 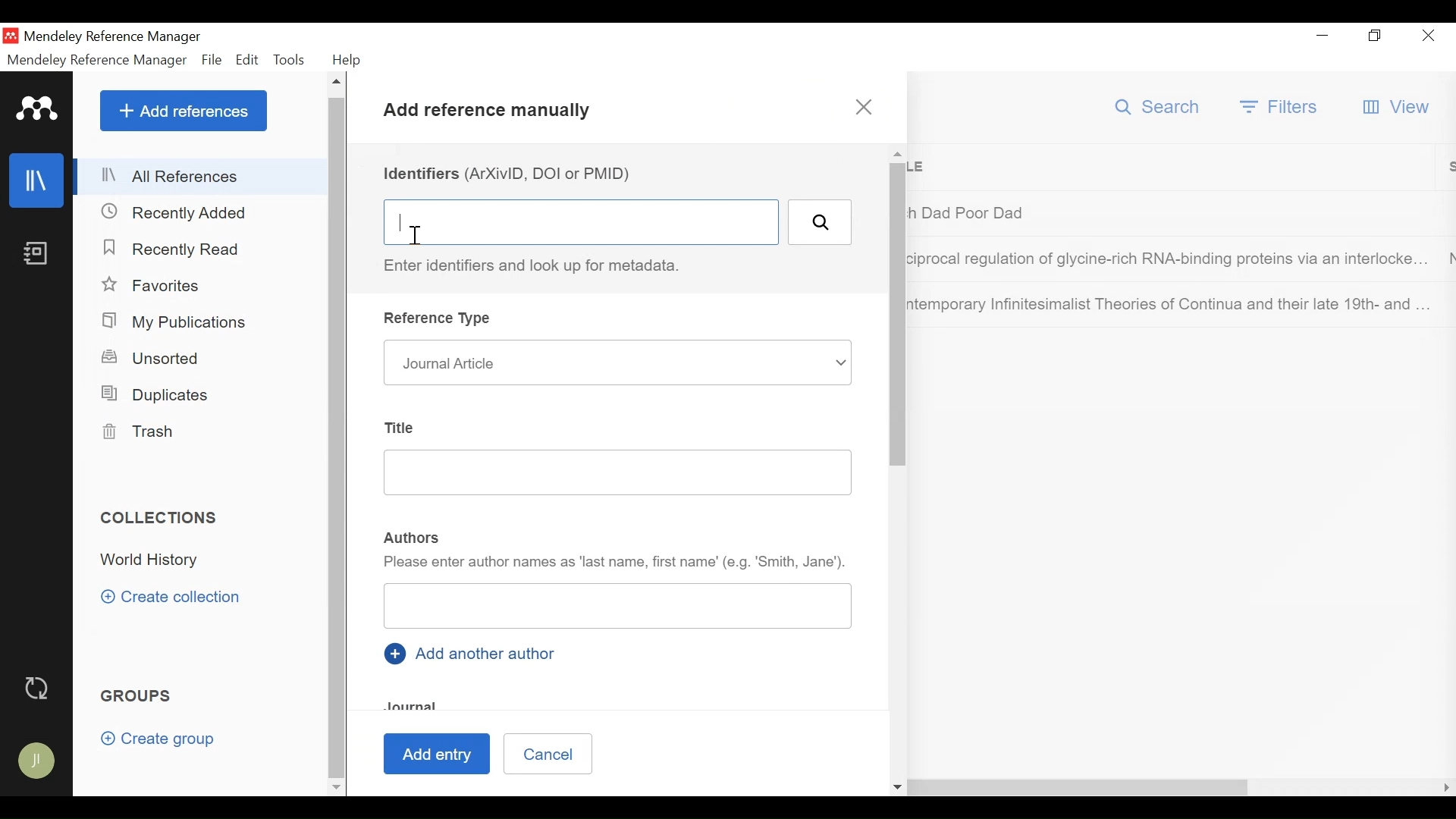 I want to click on Cursor , so click(x=193, y=129).